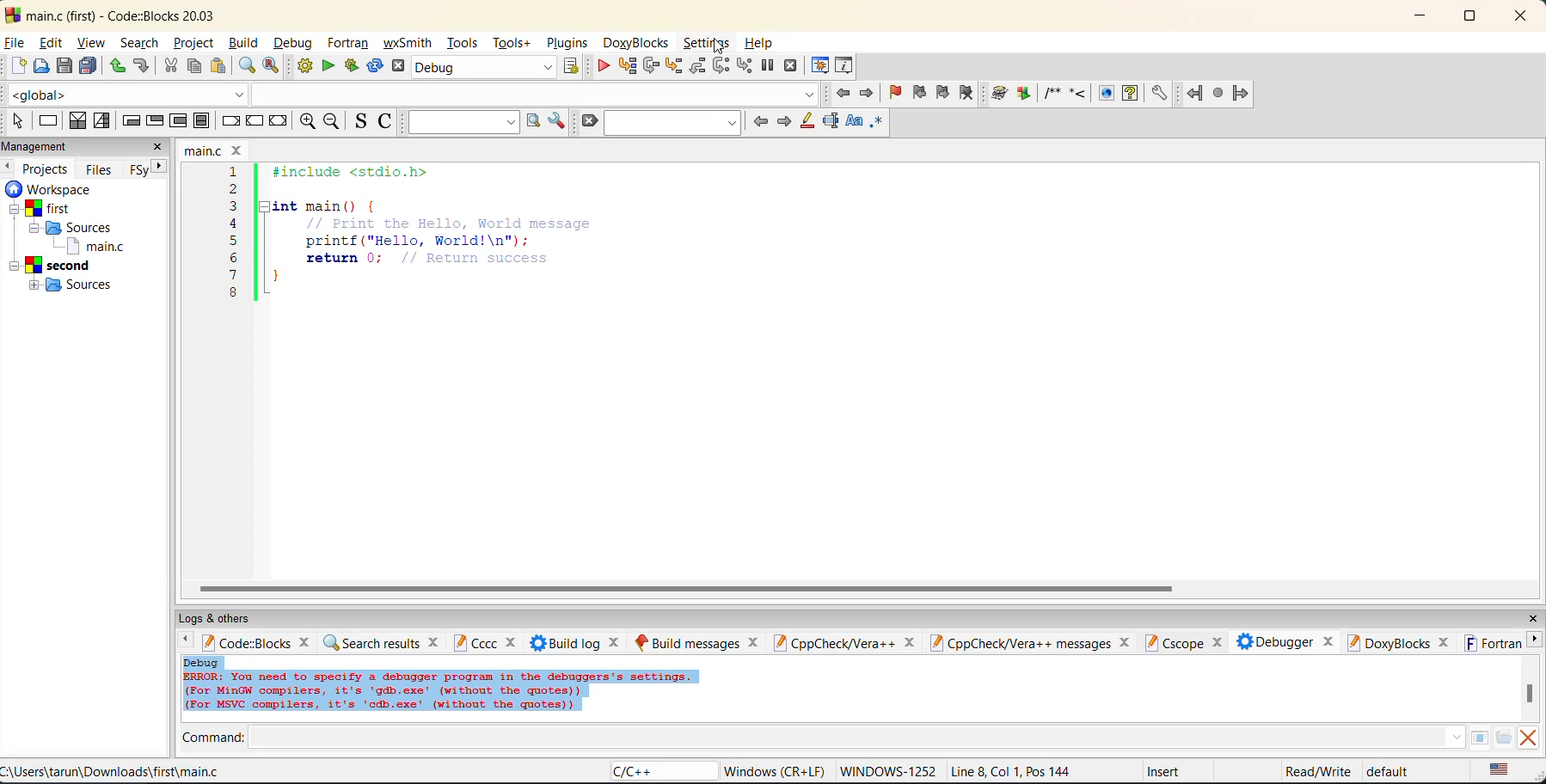 This screenshot has height=784, width=1546. Describe the element at coordinates (92, 42) in the screenshot. I see `view` at that location.